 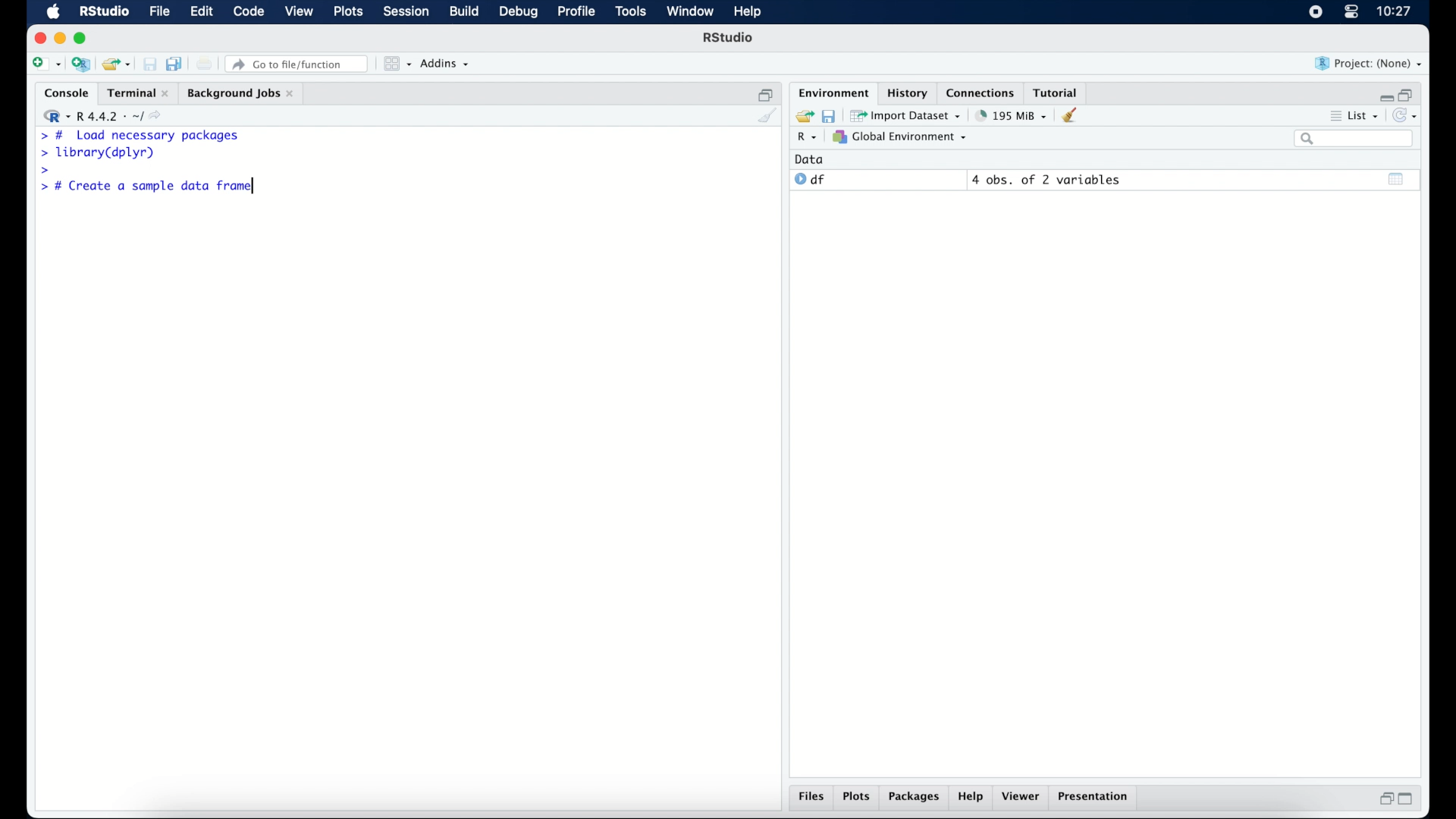 What do you see at coordinates (1410, 799) in the screenshot?
I see `maximize` at bounding box center [1410, 799].